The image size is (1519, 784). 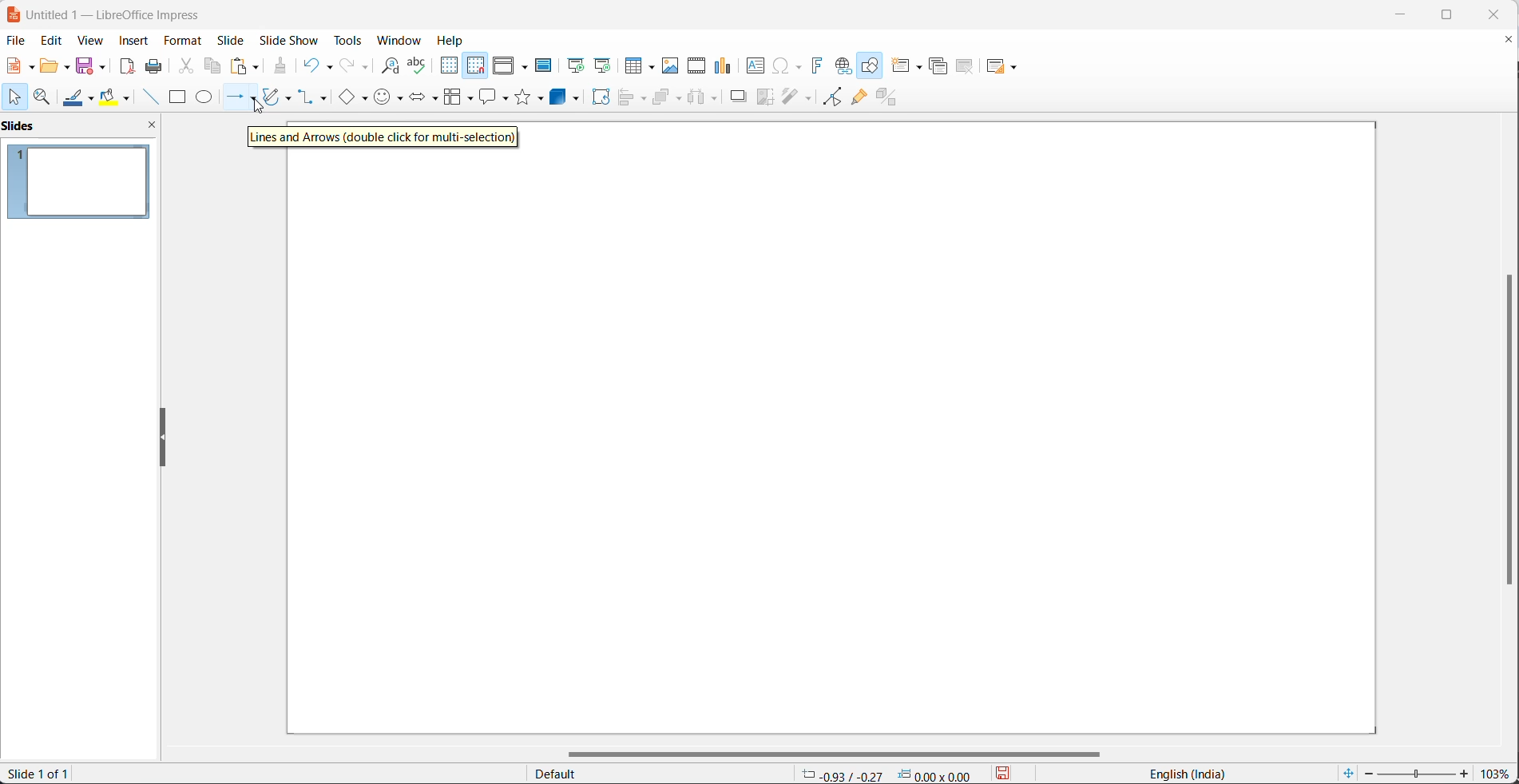 I want to click on print, so click(x=154, y=65).